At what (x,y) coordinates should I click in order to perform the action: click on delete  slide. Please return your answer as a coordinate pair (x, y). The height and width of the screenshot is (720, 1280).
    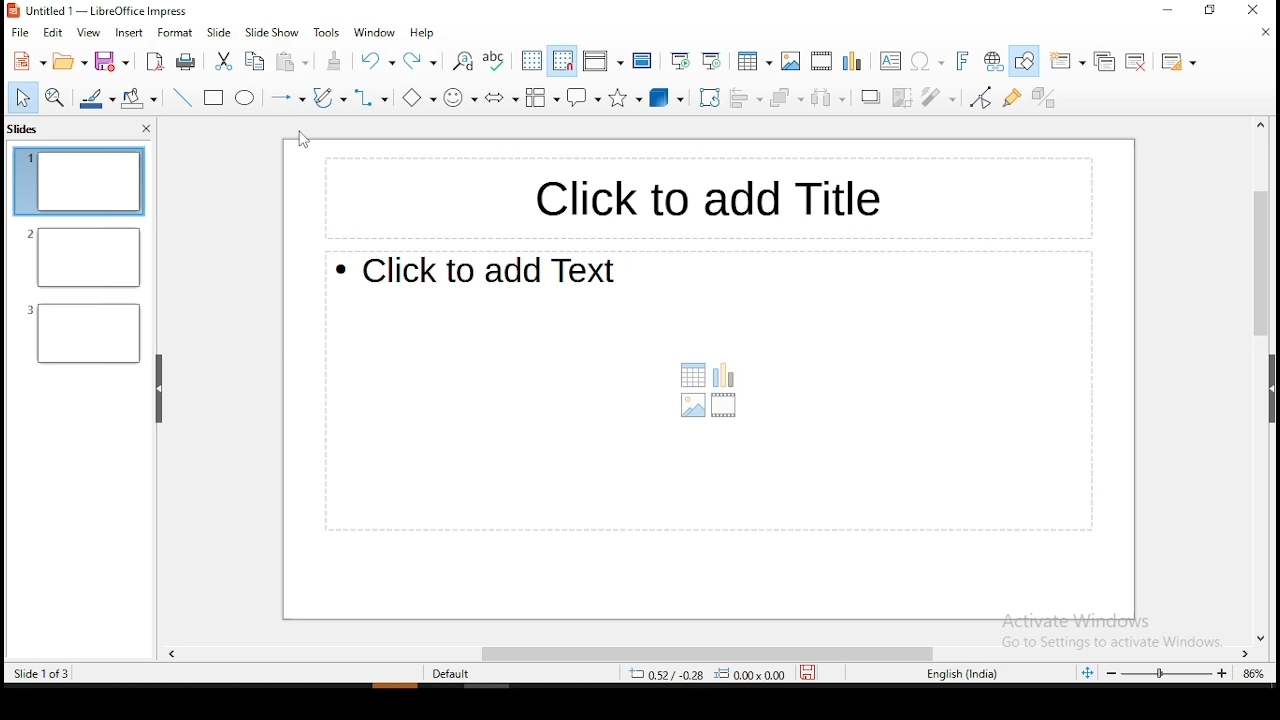
    Looking at the image, I should click on (1140, 62).